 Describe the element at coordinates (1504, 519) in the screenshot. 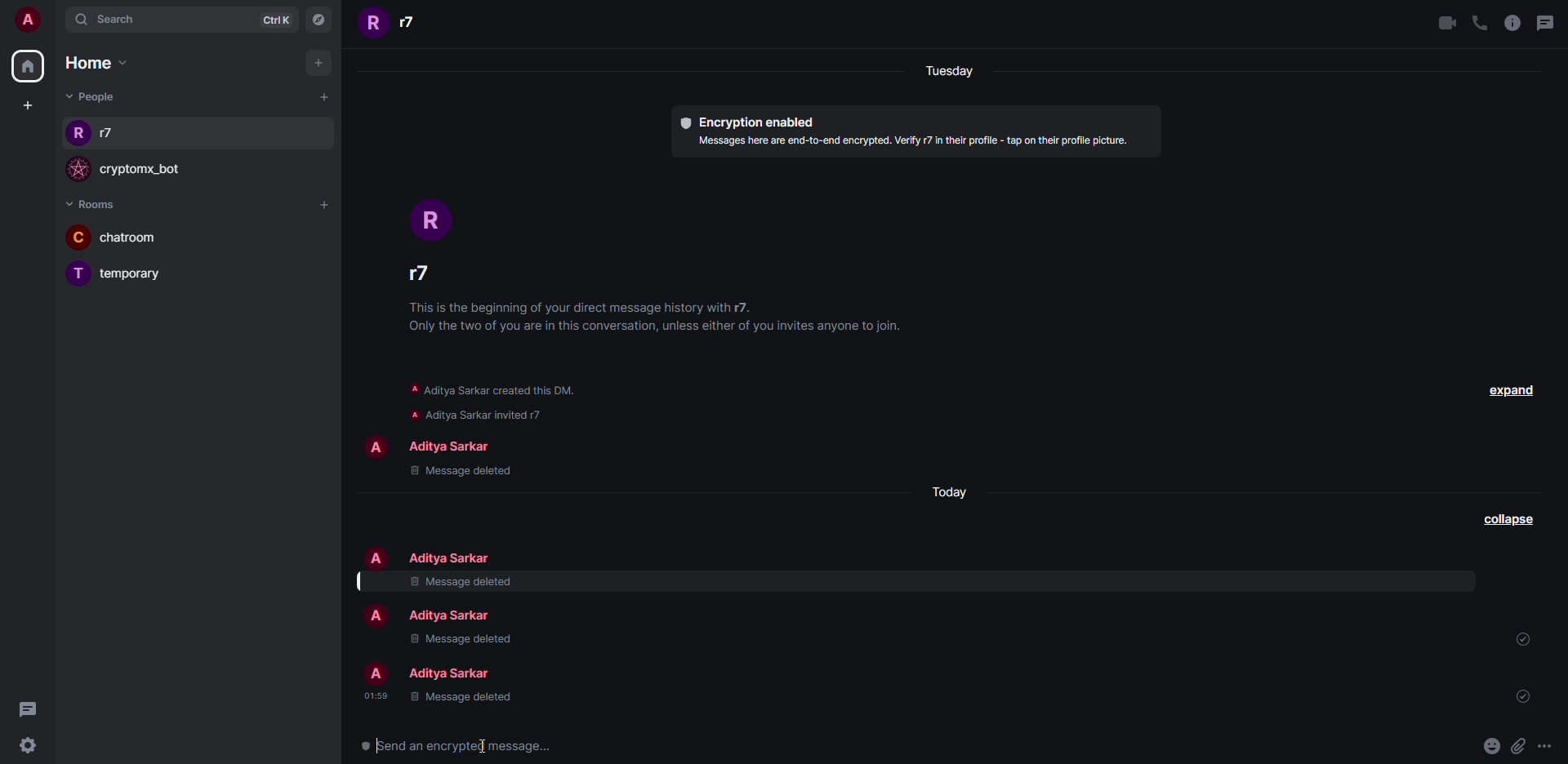

I see `collapse` at that location.